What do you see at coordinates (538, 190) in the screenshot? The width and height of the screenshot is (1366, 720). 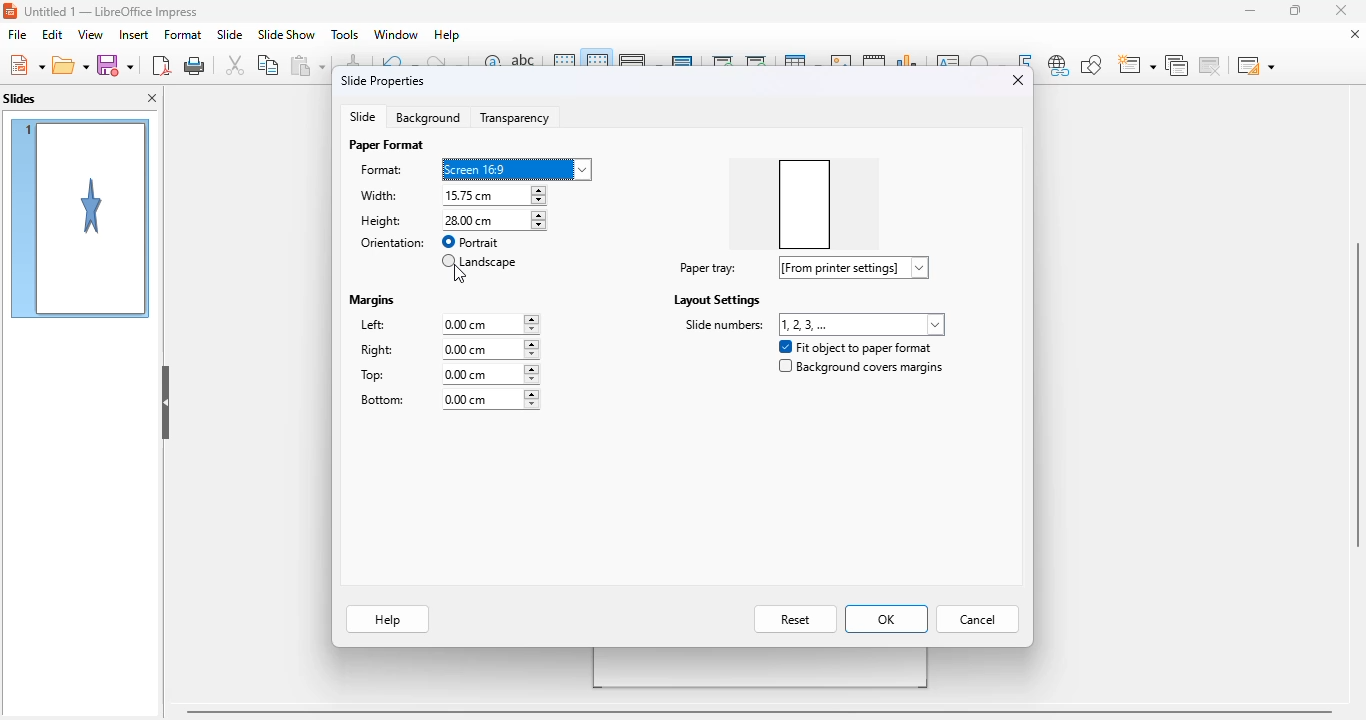 I see `increase width` at bounding box center [538, 190].